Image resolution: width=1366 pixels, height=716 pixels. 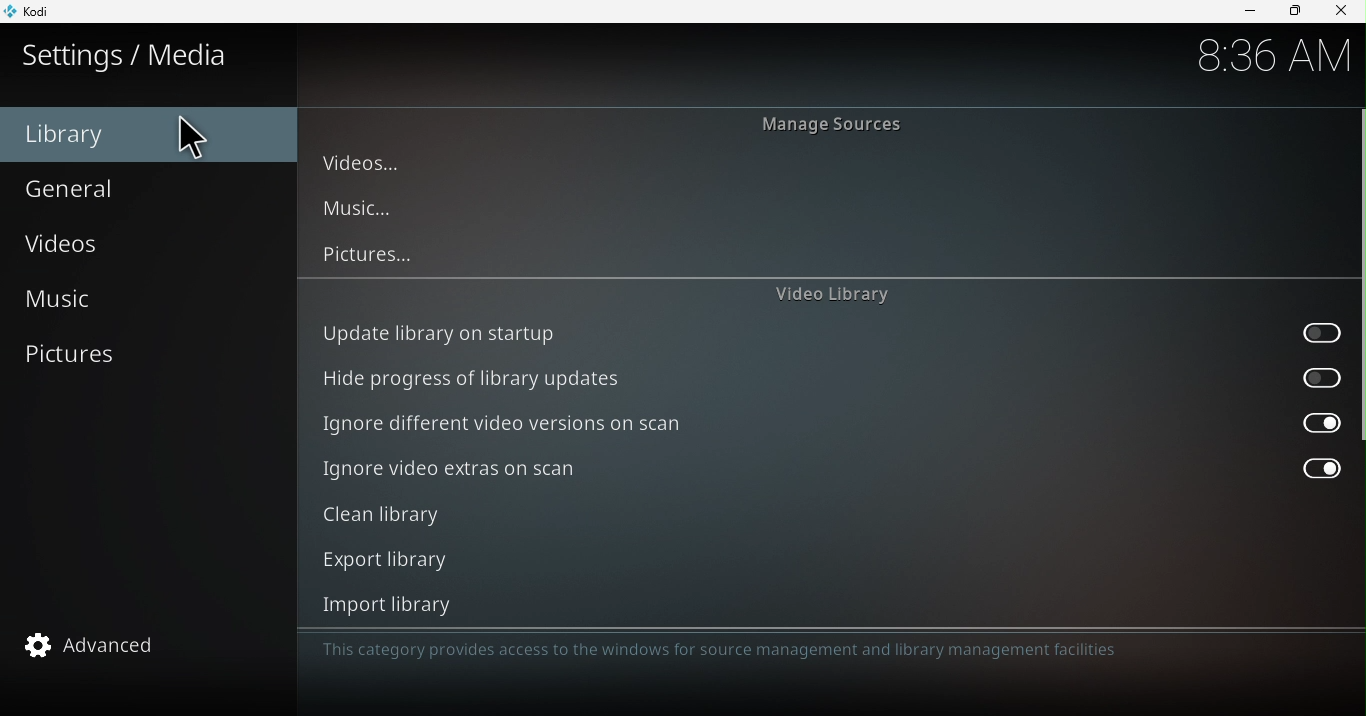 What do you see at coordinates (834, 376) in the screenshot?
I see `Hide progress of library updates` at bounding box center [834, 376].